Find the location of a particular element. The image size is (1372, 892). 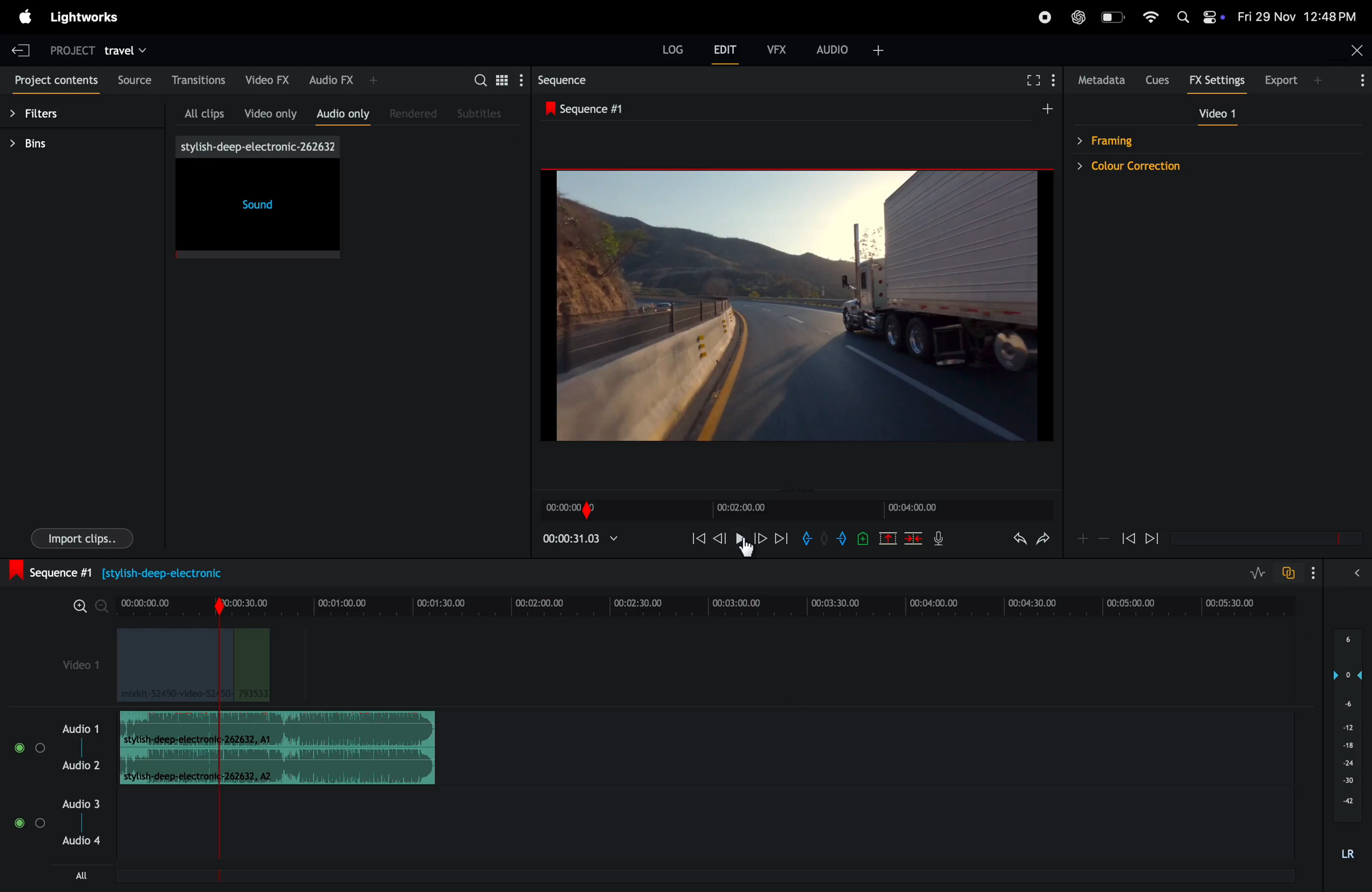

audio. clip is located at coordinates (277, 729).